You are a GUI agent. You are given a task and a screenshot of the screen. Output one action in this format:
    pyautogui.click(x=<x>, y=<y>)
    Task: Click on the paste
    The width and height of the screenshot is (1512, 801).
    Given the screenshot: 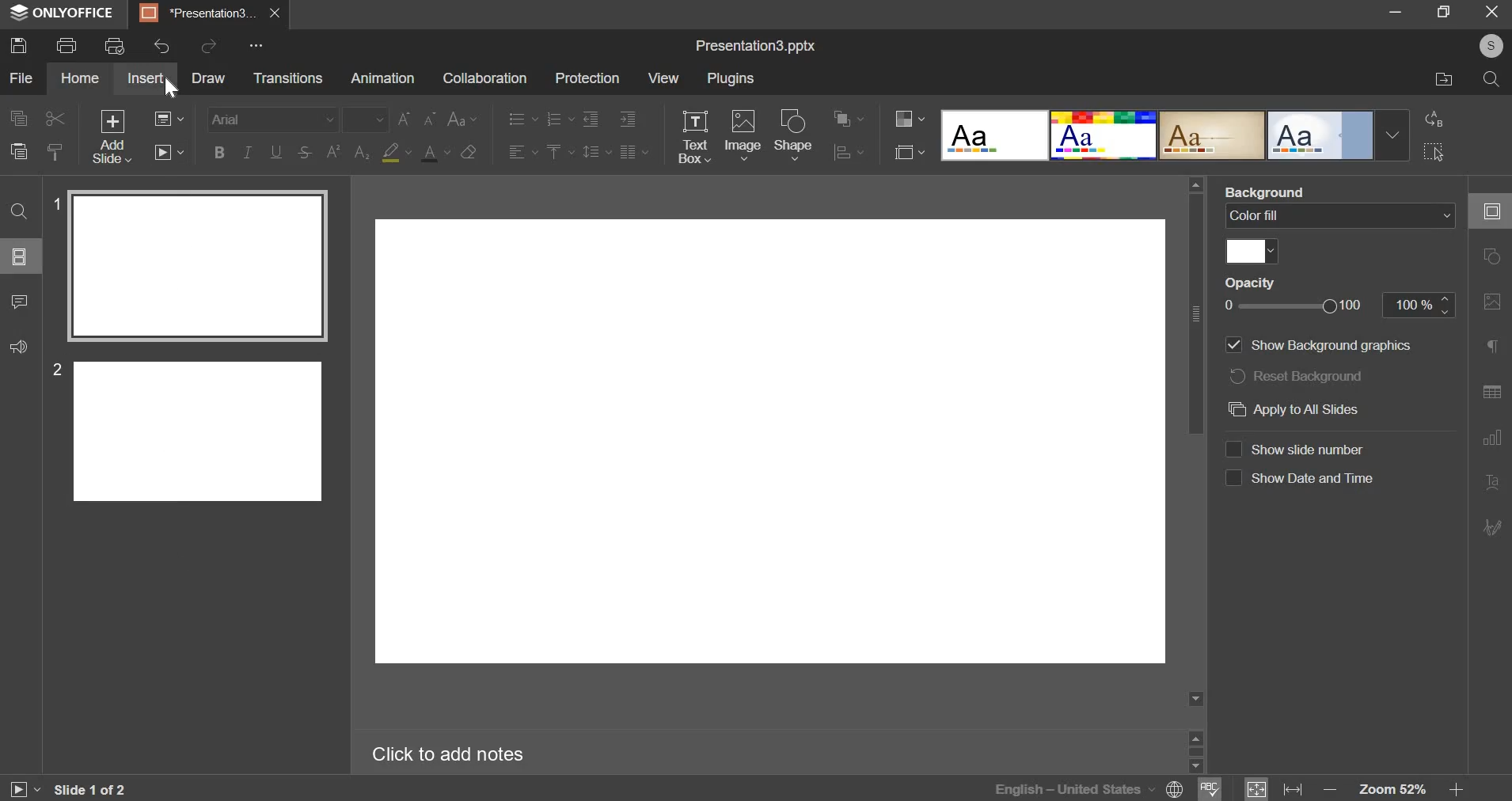 What is the action you would take?
    pyautogui.click(x=56, y=150)
    